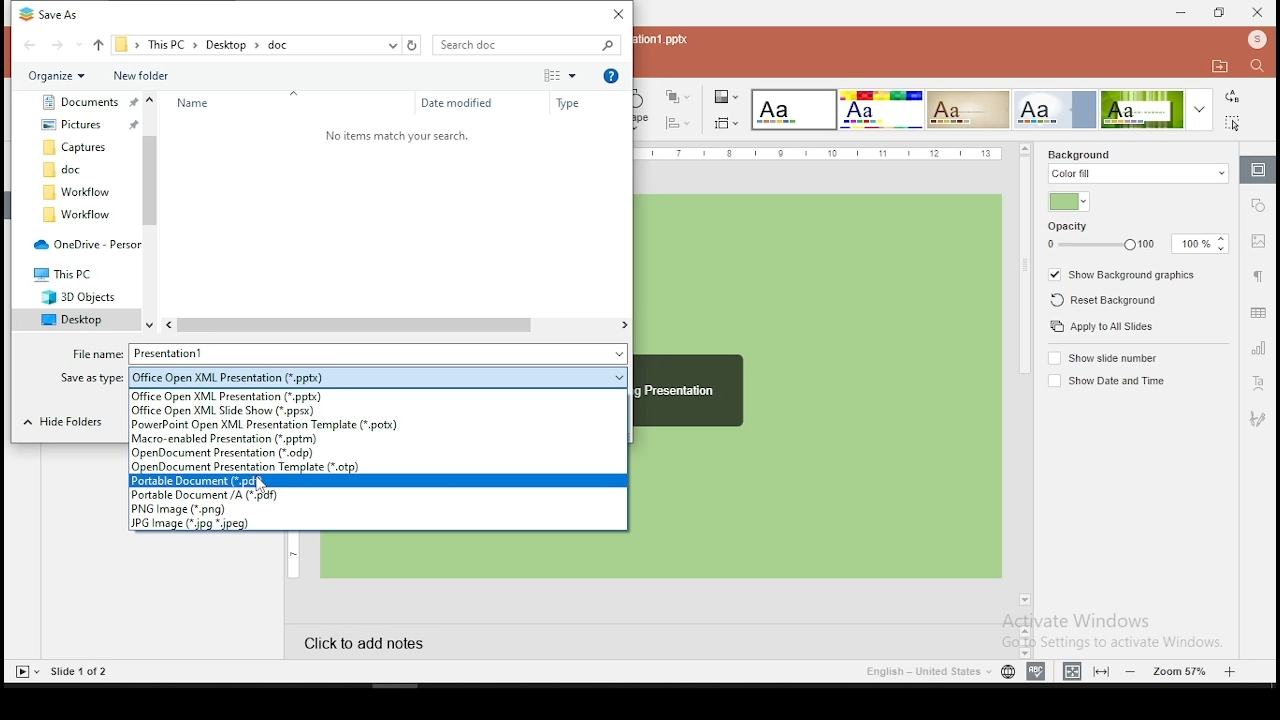  What do you see at coordinates (1257, 385) in the screenshot?
I see `text art settings` at bounding box center [1257, 385].